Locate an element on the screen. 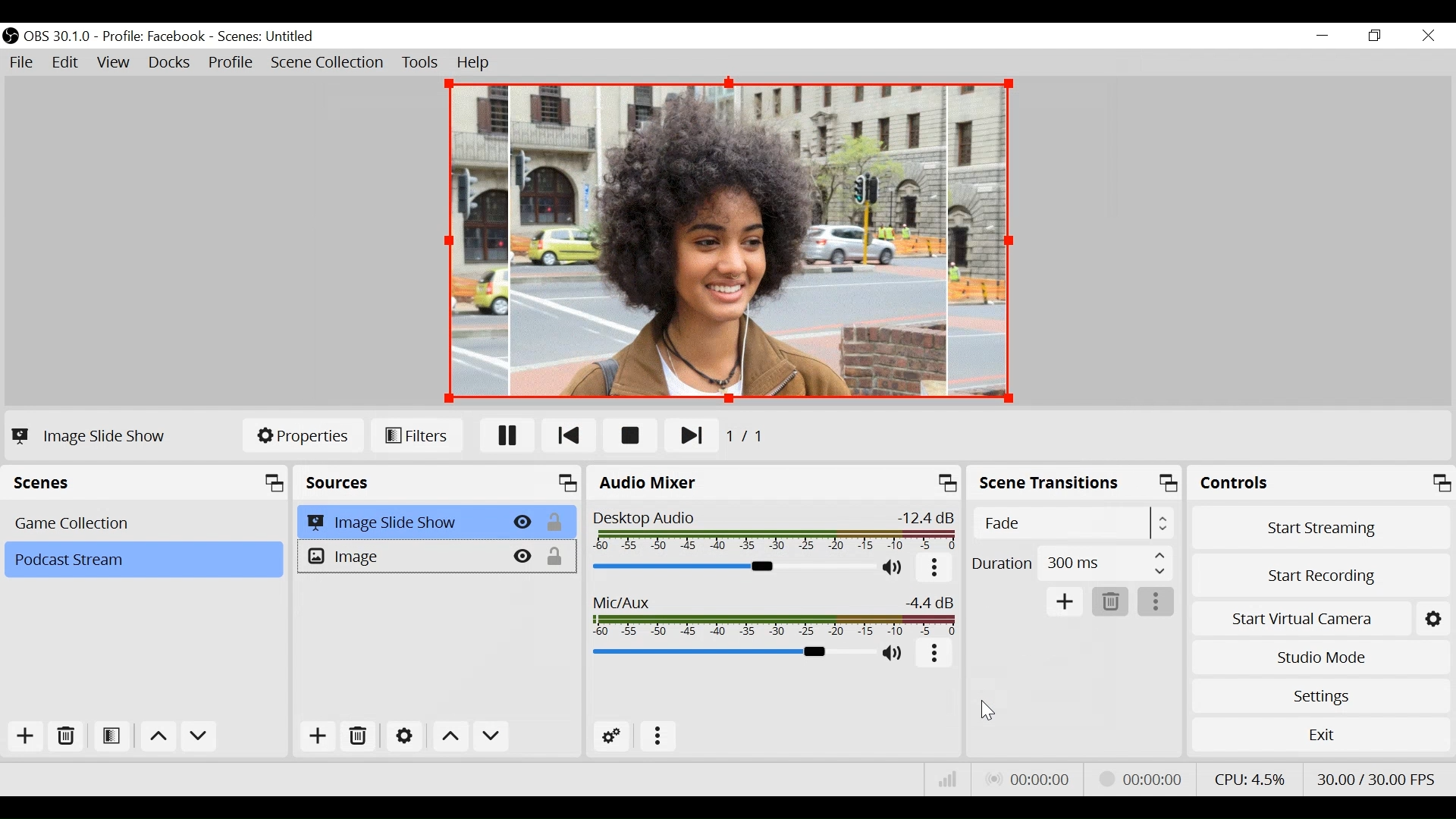  File is located at coordinates (24, 63).